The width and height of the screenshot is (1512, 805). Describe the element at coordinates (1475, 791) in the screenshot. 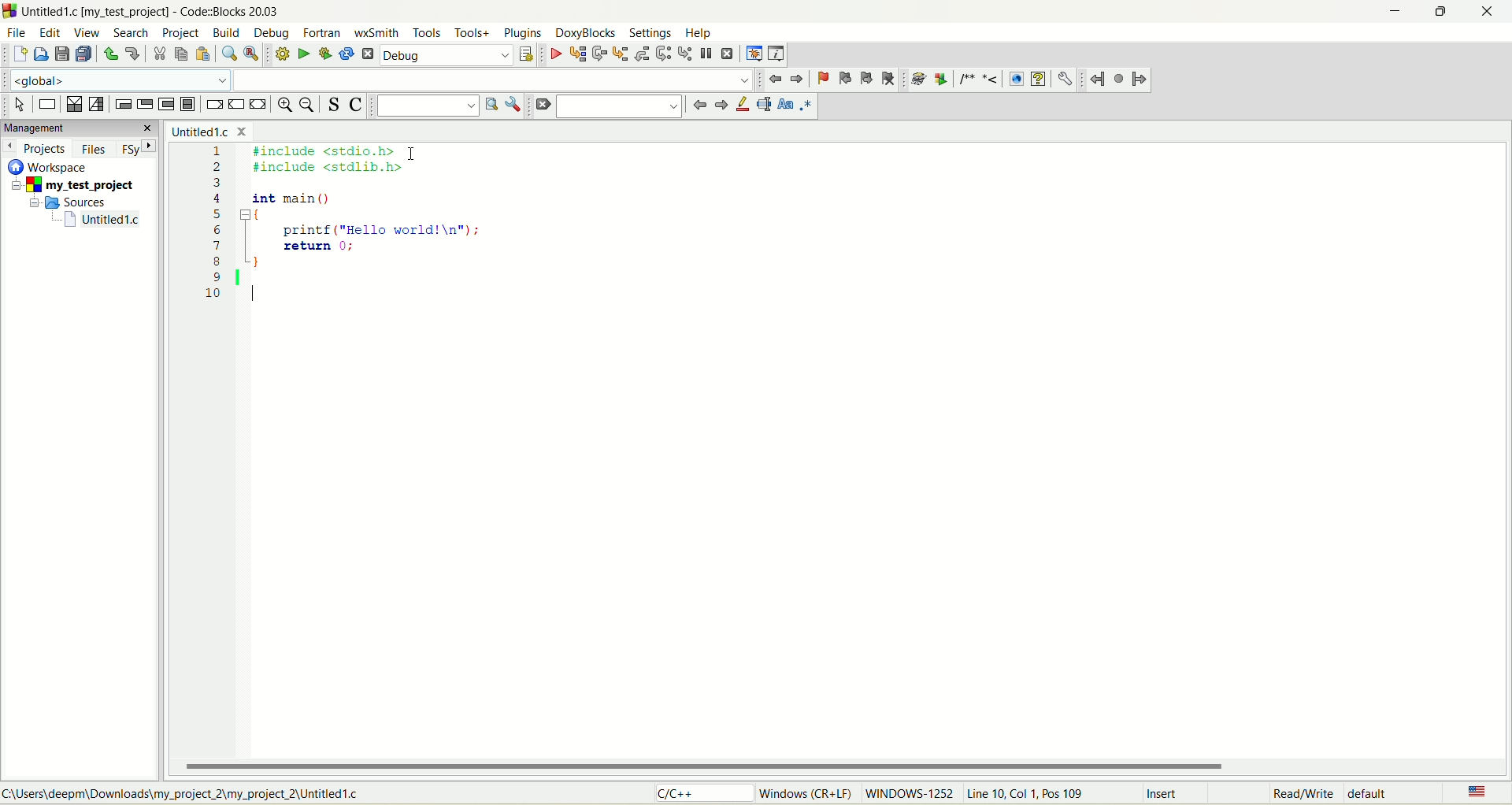

I see `language` at that location.